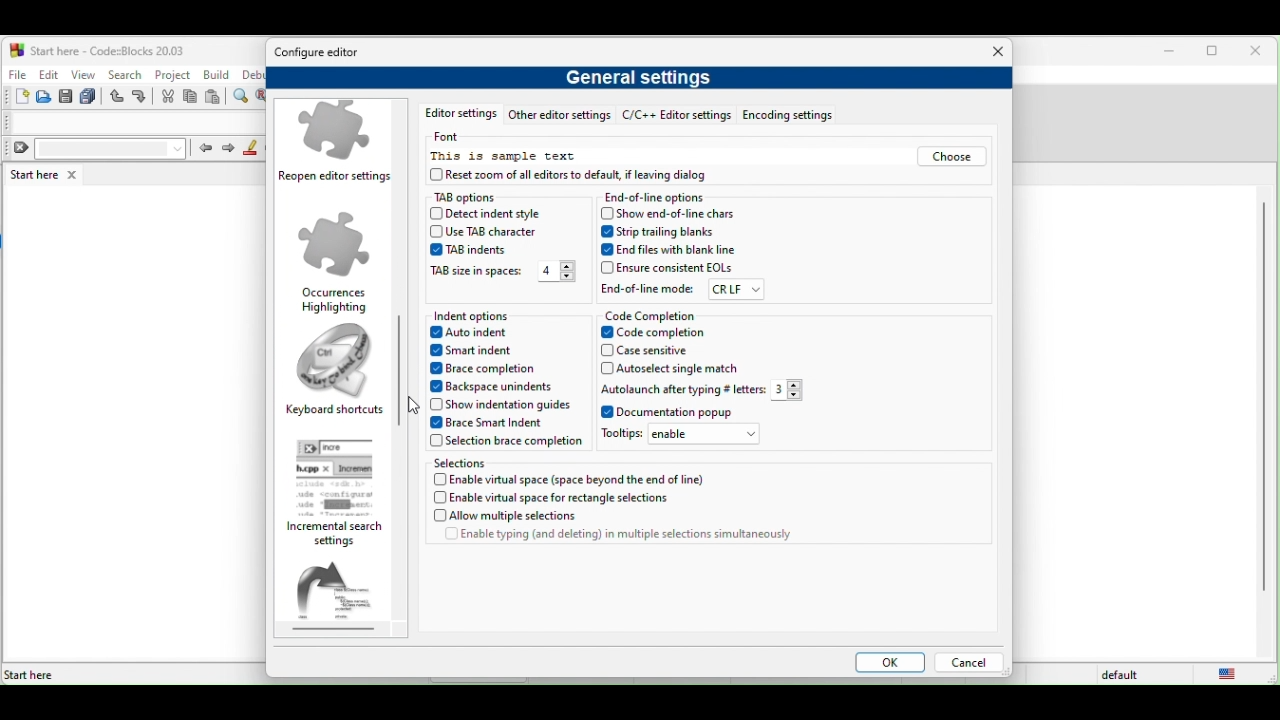 The width and height of the screenshot is (1280, 720). Describe the element at coordinates (565, 499) in the screenshot. I see `enable virtual space for rectangle selection` at that location.